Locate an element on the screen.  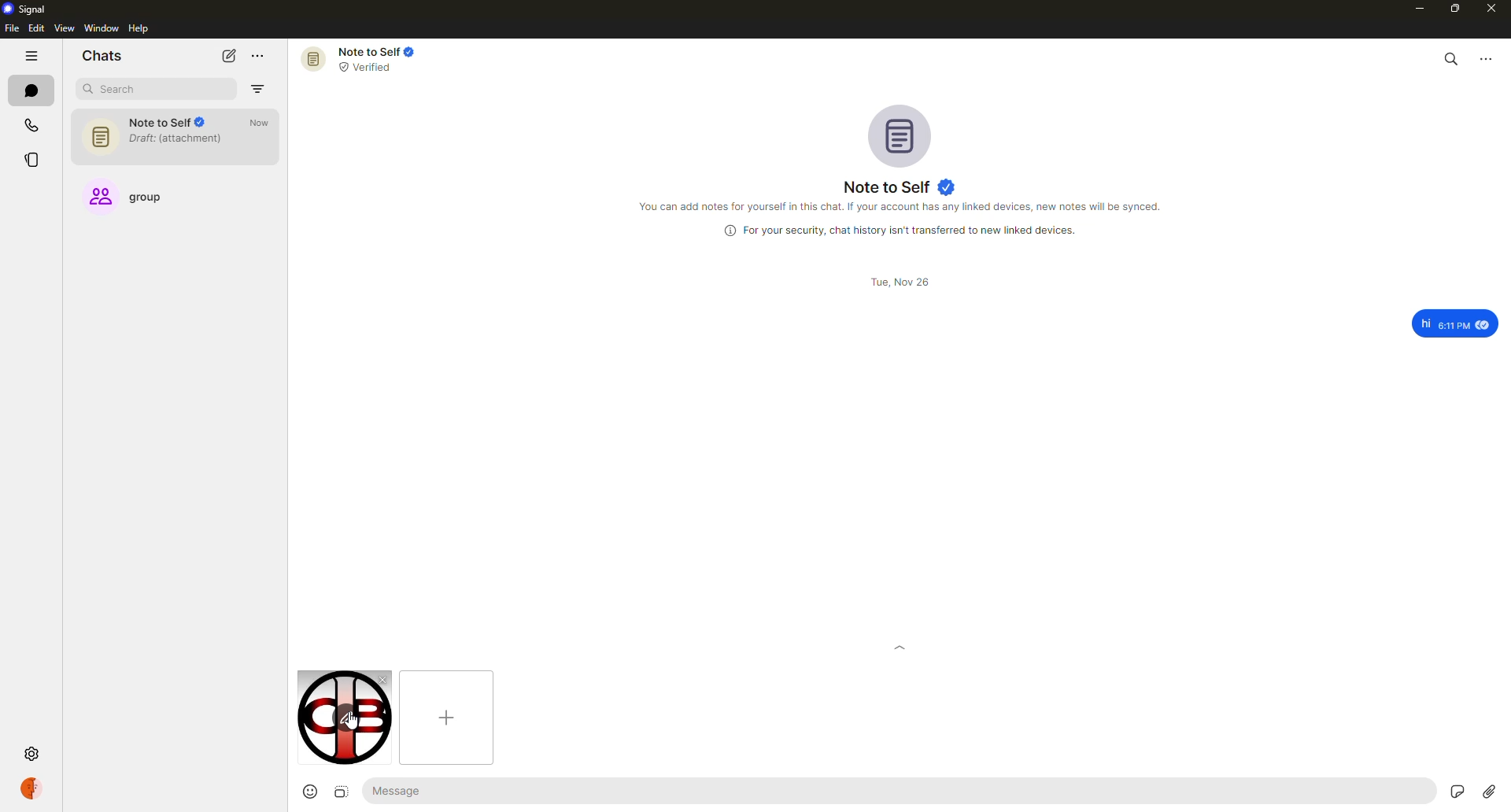
stories is located at coordinates (34, 160).